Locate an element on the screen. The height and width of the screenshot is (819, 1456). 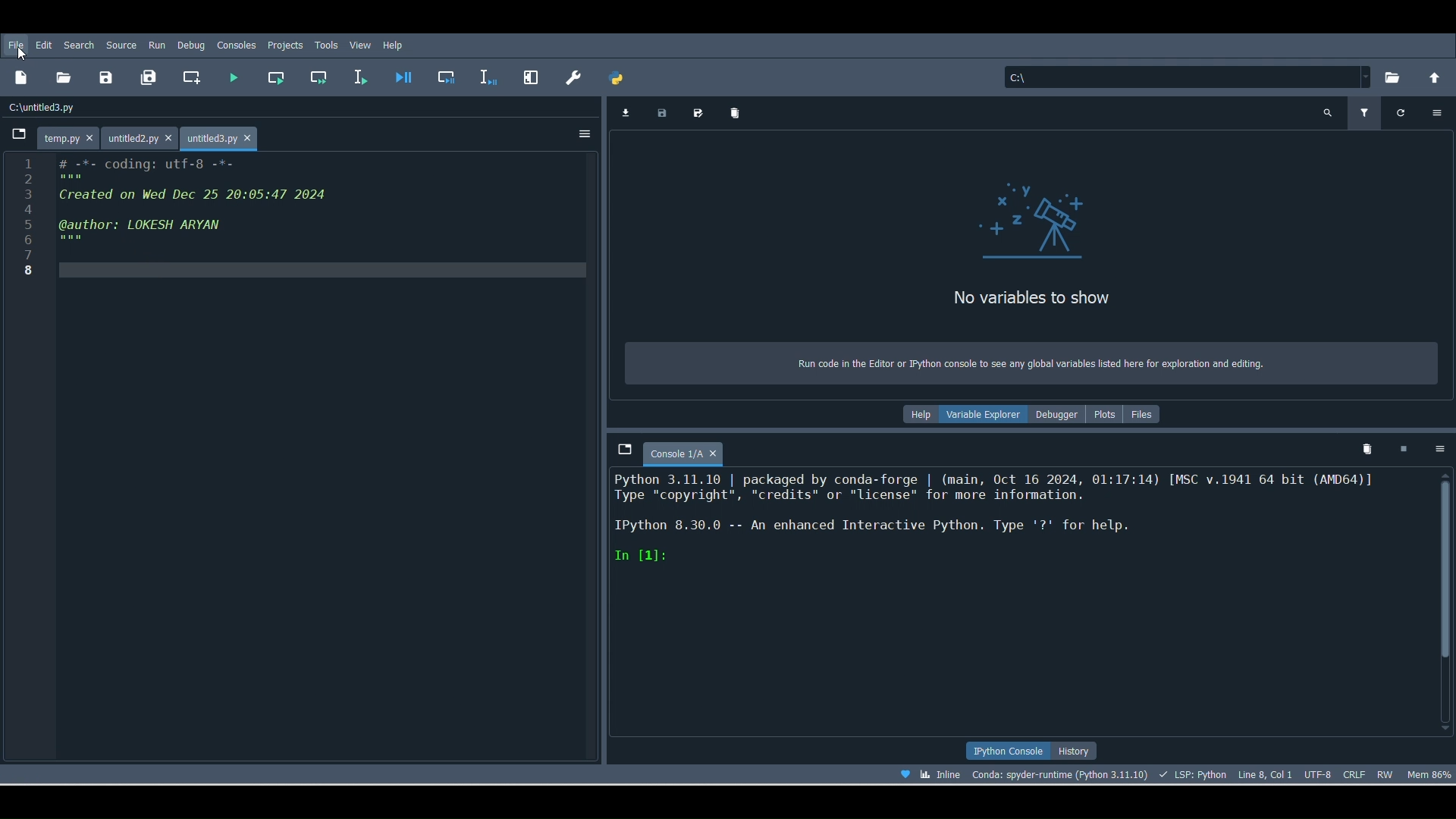
Run selection or current line (F9) is located at coordinates (366, 76).